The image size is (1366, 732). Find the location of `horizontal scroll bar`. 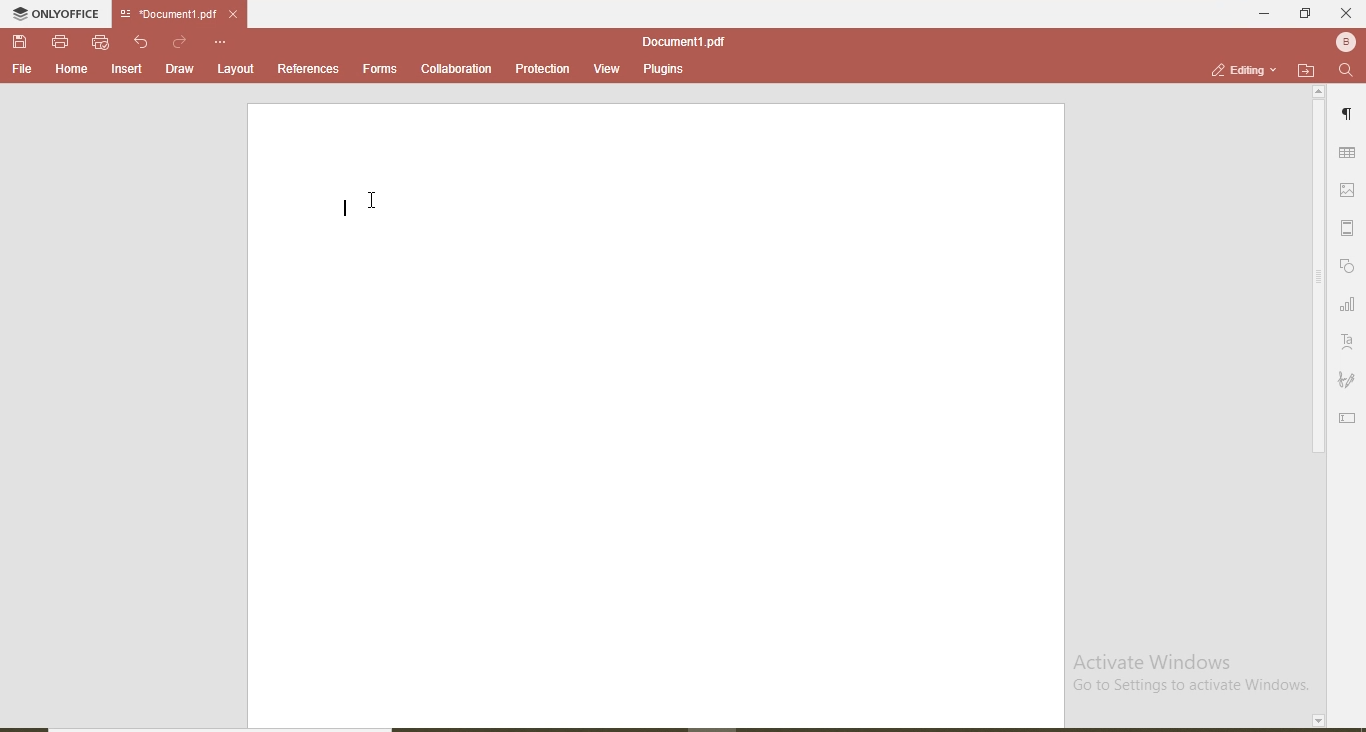

horizontal scroll bar is located at coordinates (235, 726).